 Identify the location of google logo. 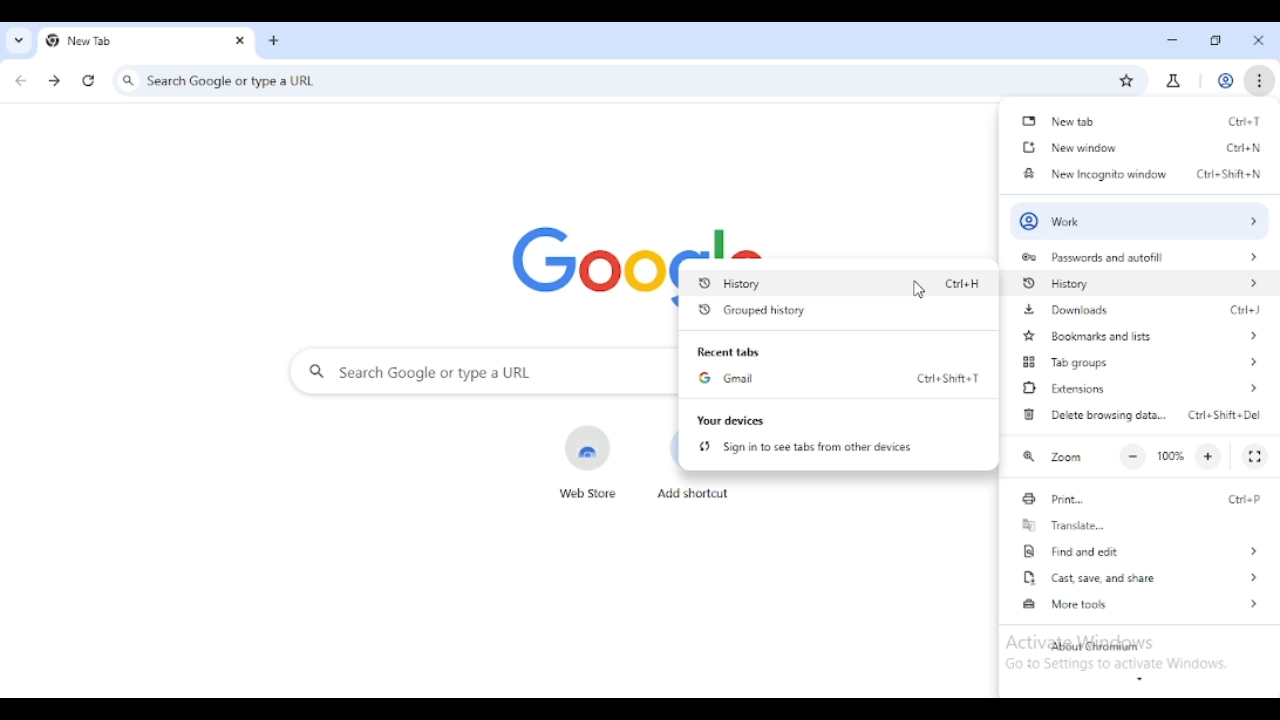
(584, 265).